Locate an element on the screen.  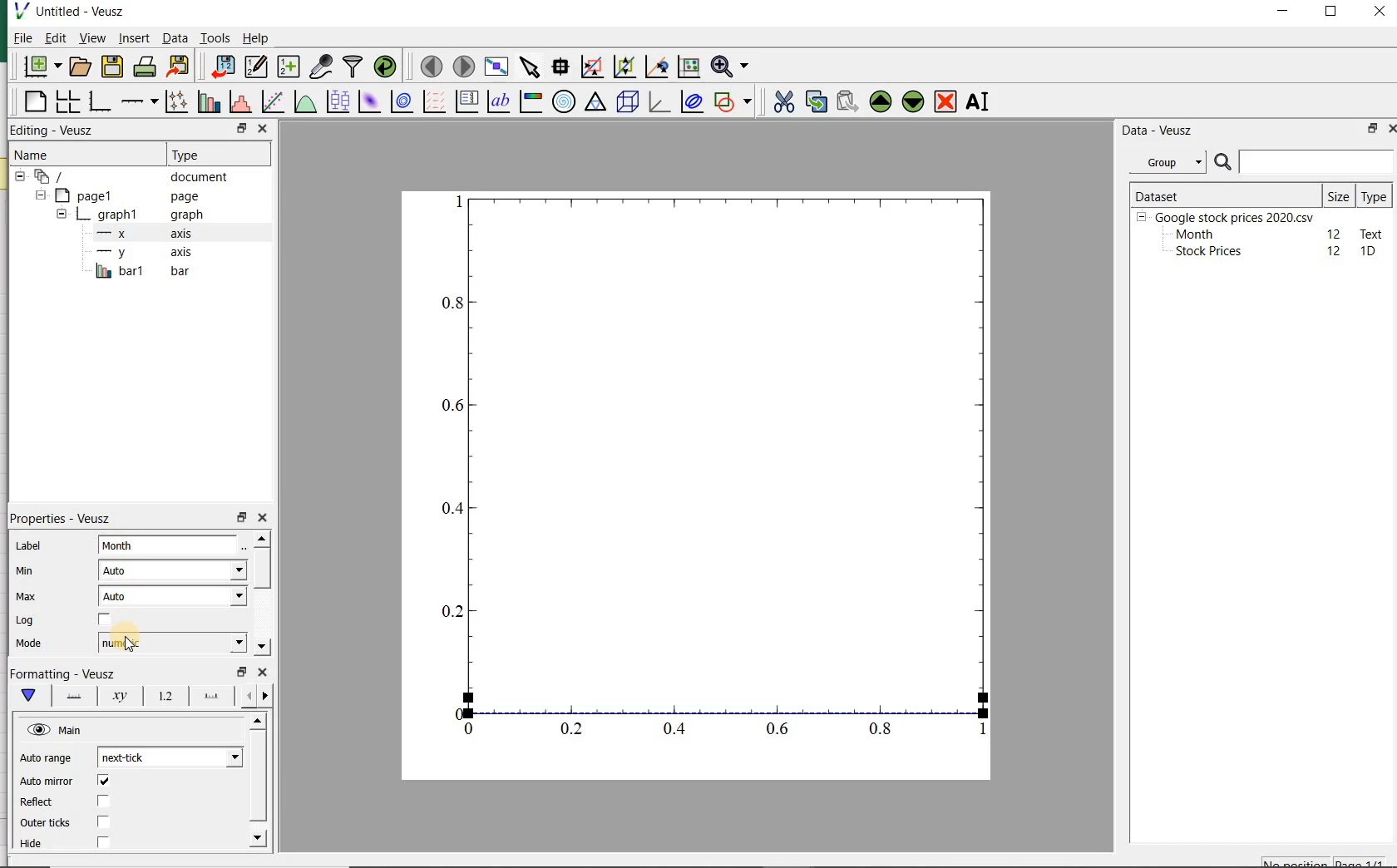
next tick is located at coordinates (167, 757).